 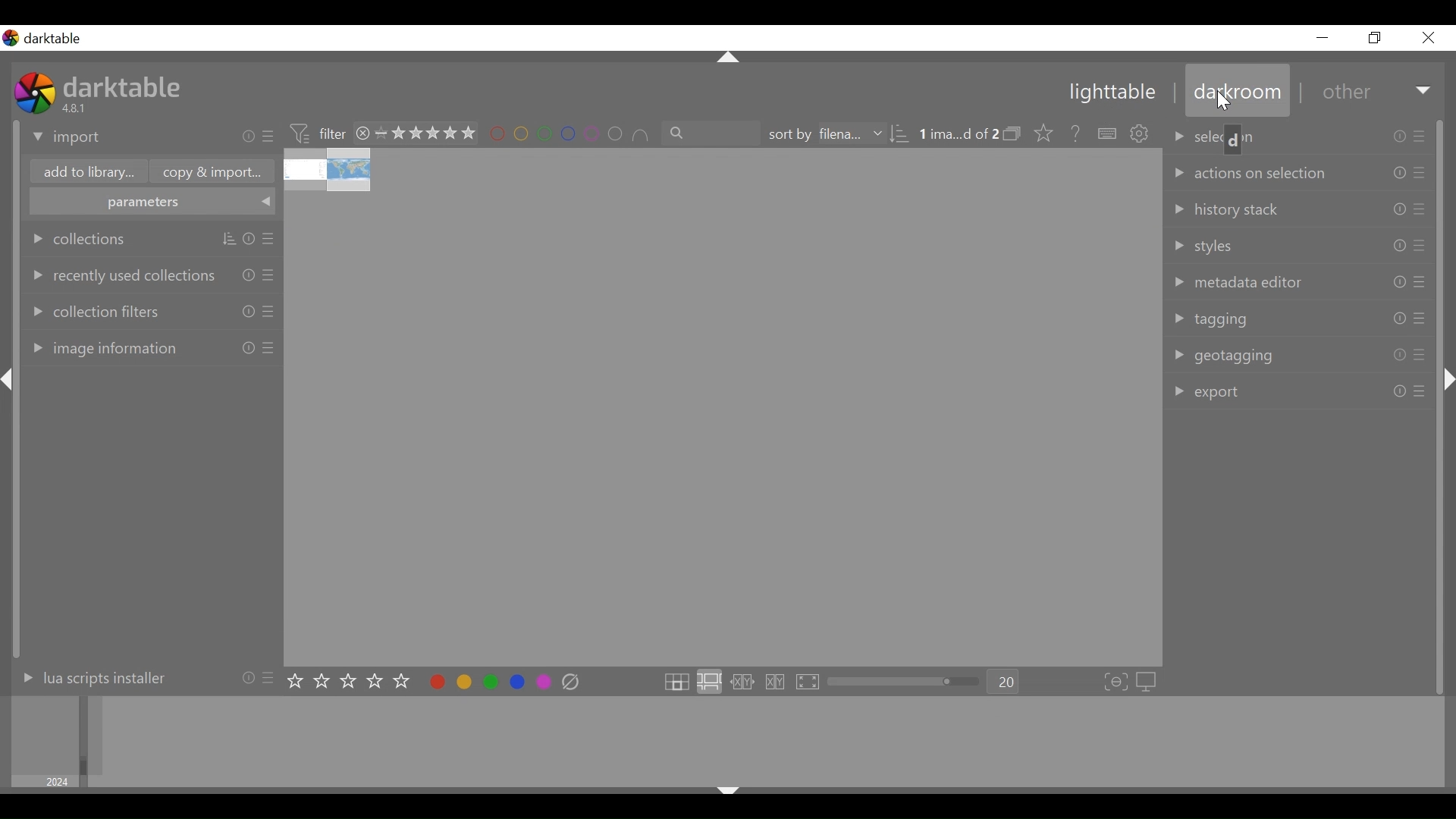 What do you see at coordinates (1398, 209) in the screenshot?
I see `` at bounding box center [1398, 209].